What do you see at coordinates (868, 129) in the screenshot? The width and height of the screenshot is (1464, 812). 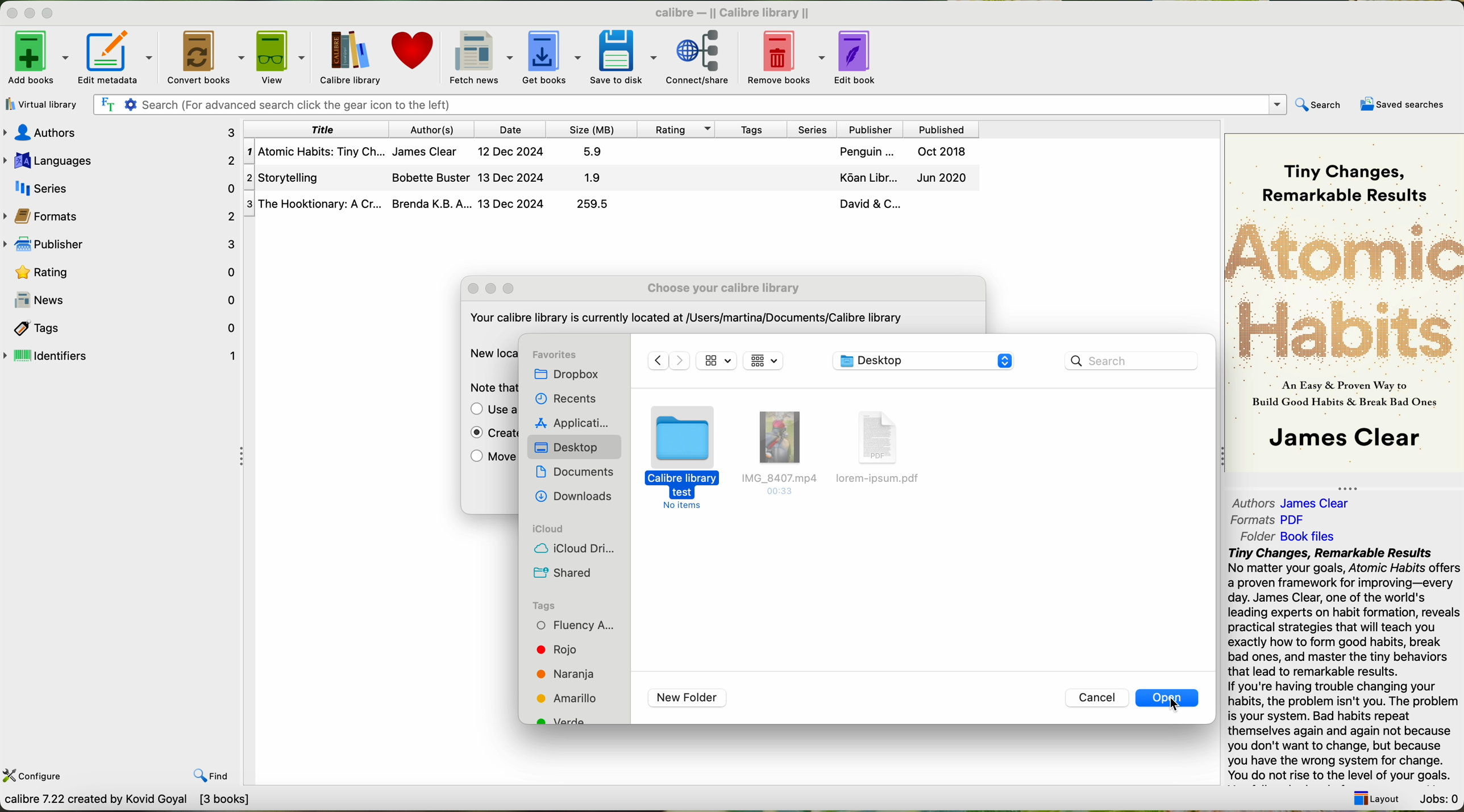 I see `publisher` at bounding box center [868, 129].